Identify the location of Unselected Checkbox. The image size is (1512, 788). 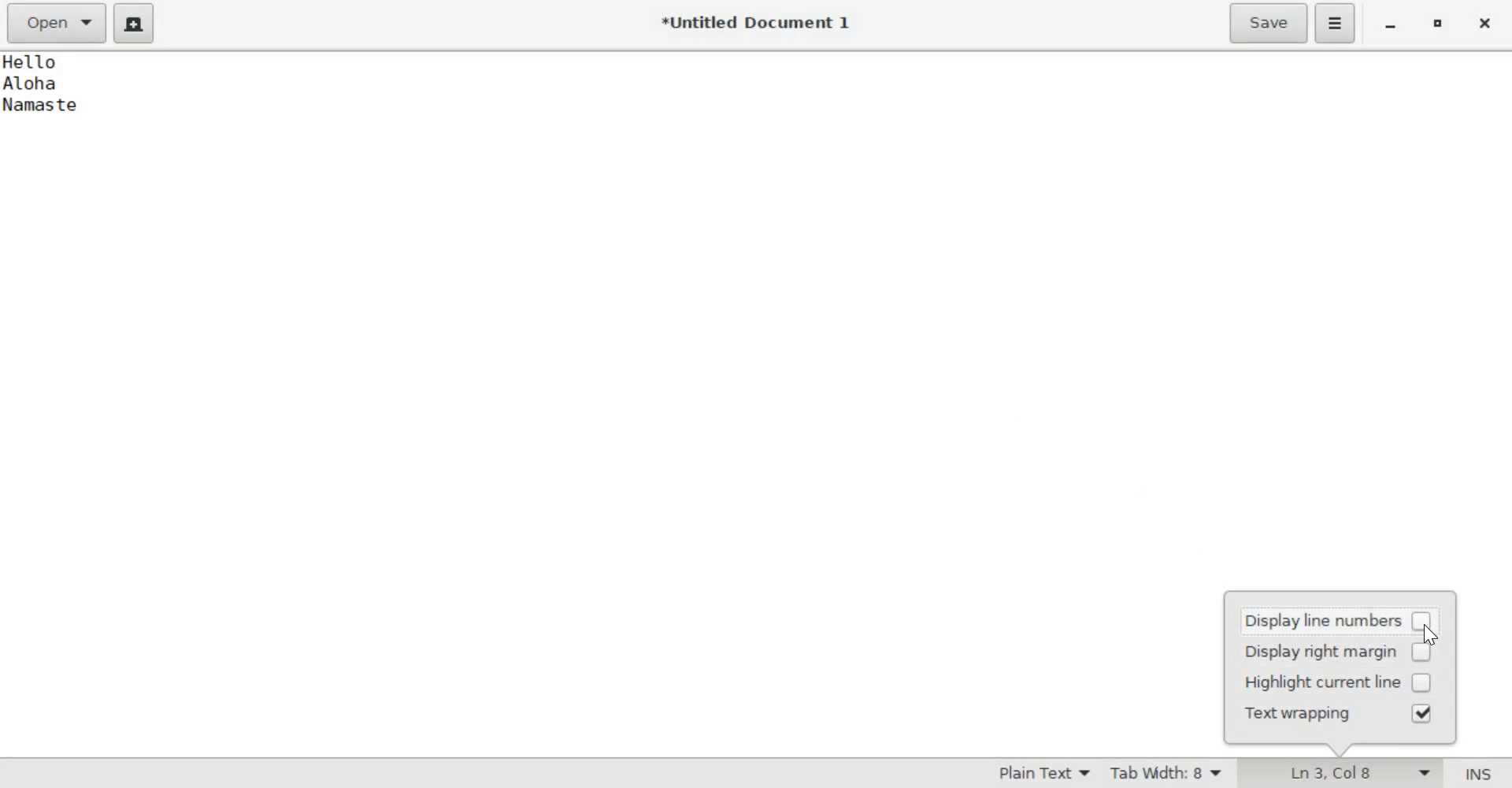
(1421, 682).